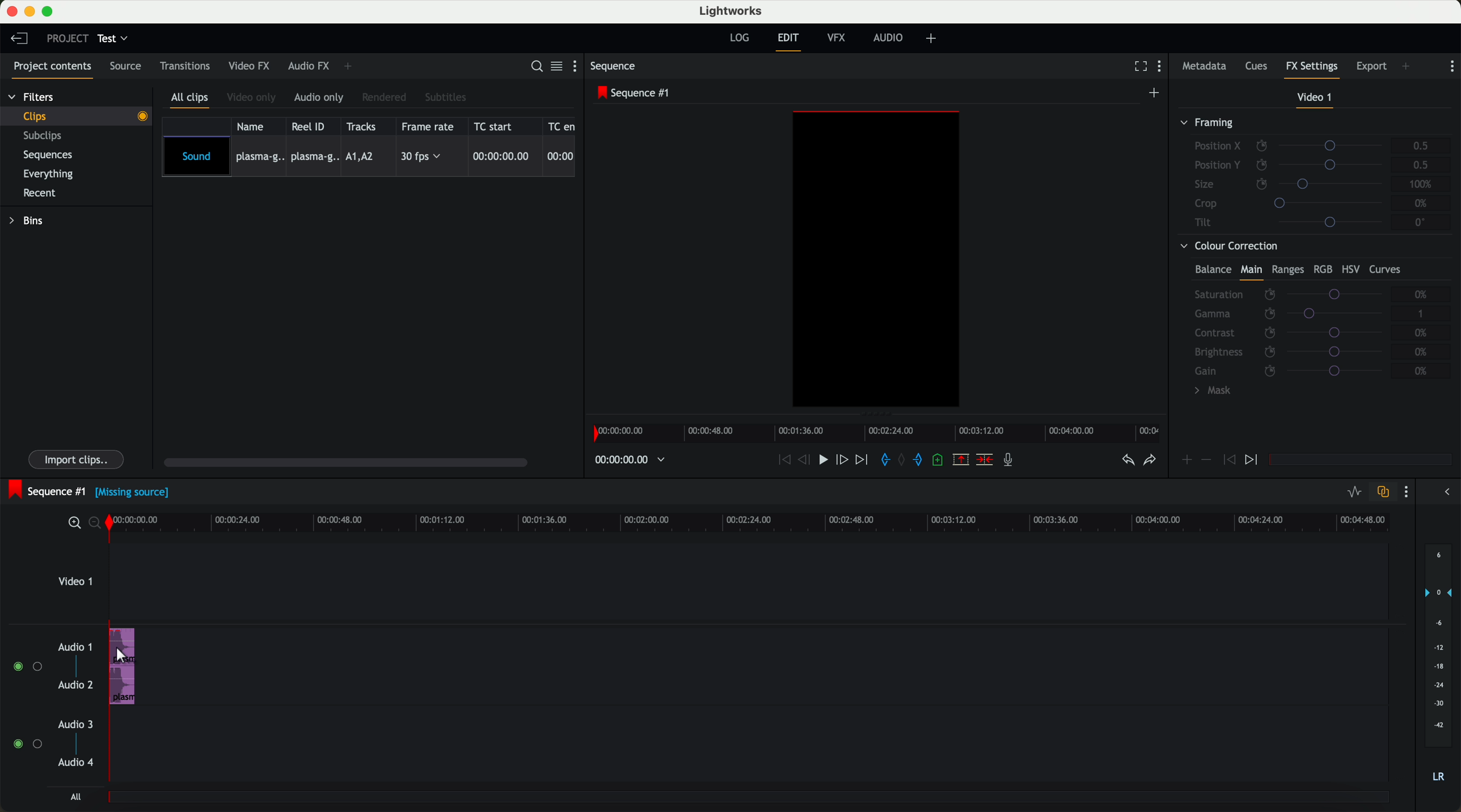 Image resolution: width=1461 pixels, height=812 pixels. Describe the element at coordinates (1409, 493) in the screenshot. I see `show settings menu` at that location.